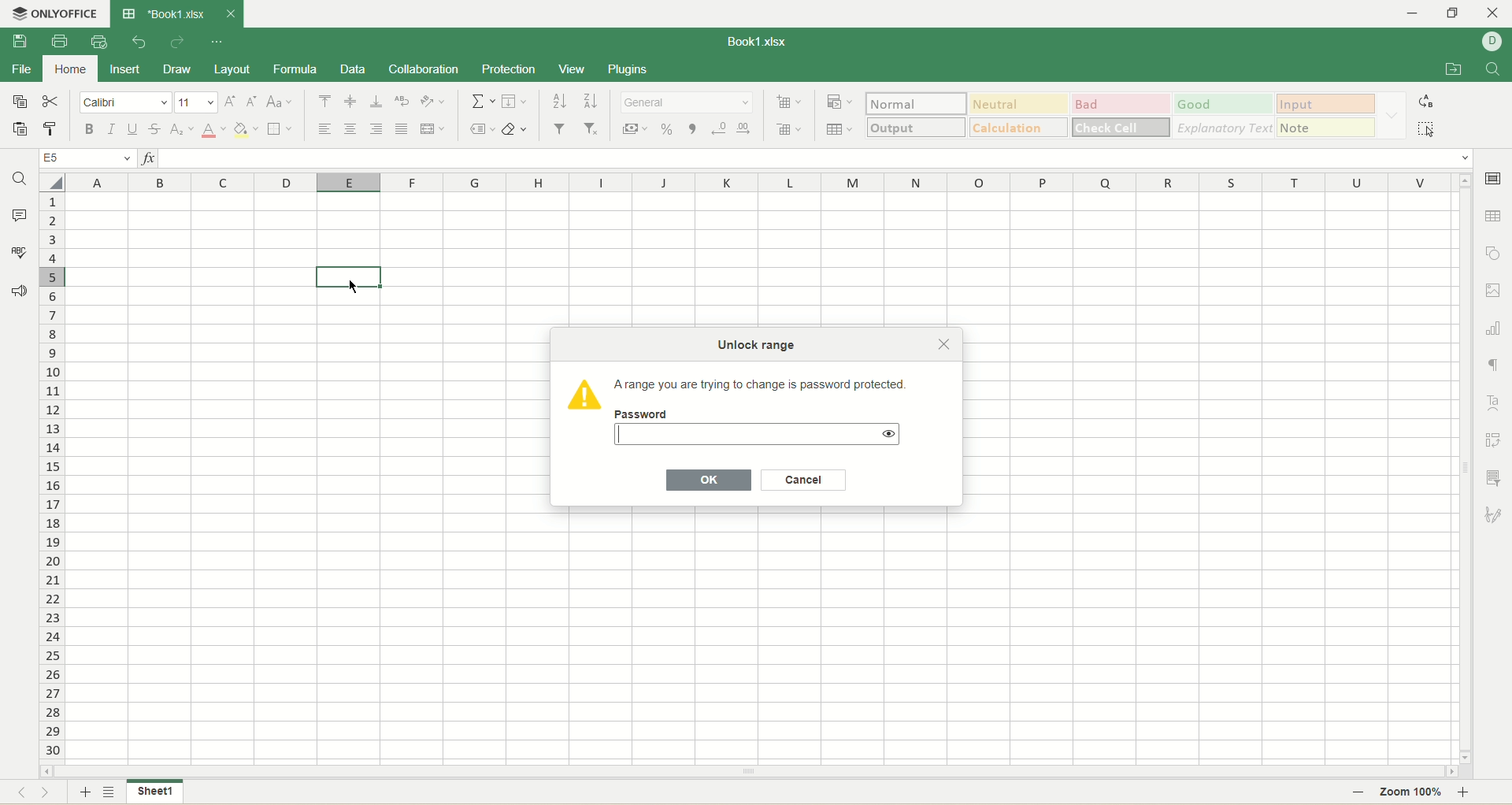 The width and height of the screenshot is (1512, 805). What do you see at coordinates (1494, 329) in the screenshot?
I see `chart settings` at bounding box center [1494, 329].